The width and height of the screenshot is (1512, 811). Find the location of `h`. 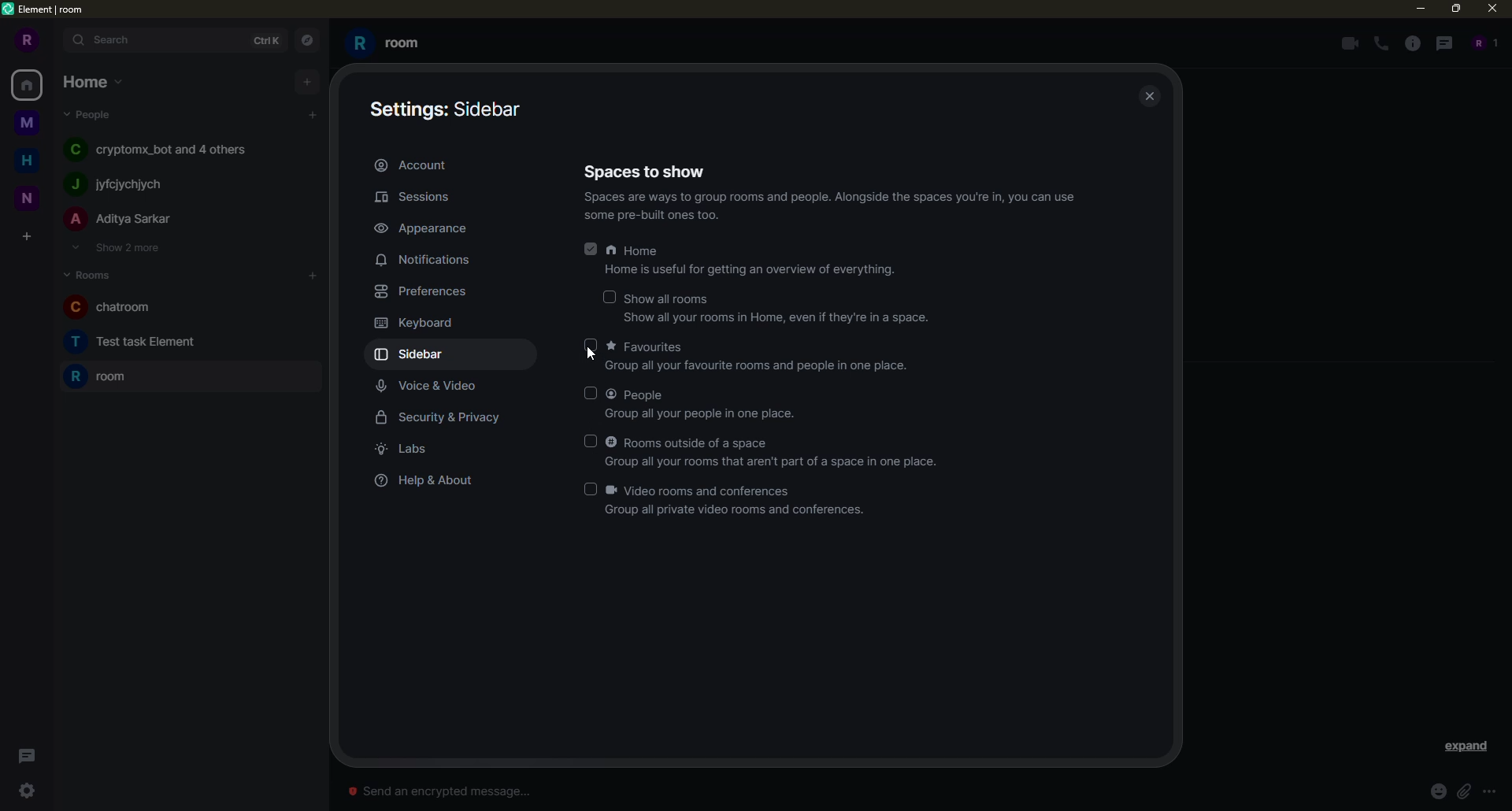

h is located at coordinates (27, 158).